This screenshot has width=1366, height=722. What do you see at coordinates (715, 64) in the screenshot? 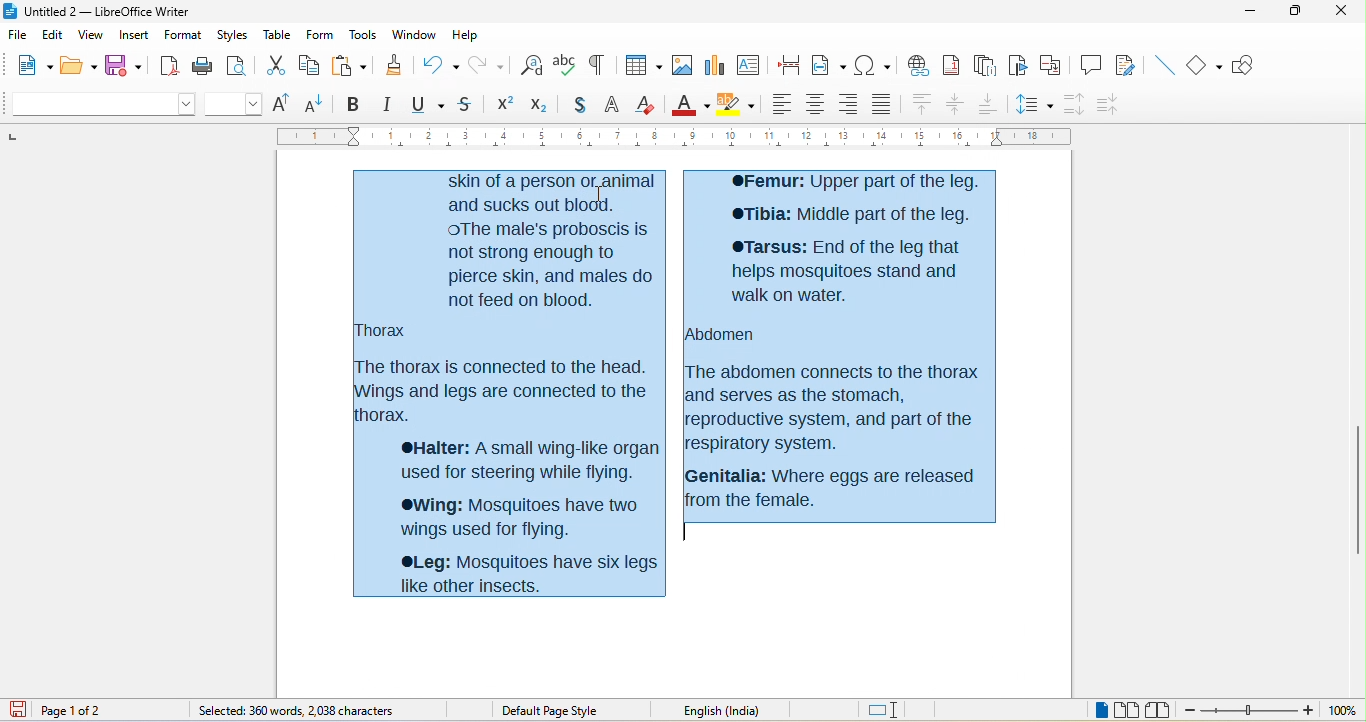
I see `chart` at bounding box center [715, 64].